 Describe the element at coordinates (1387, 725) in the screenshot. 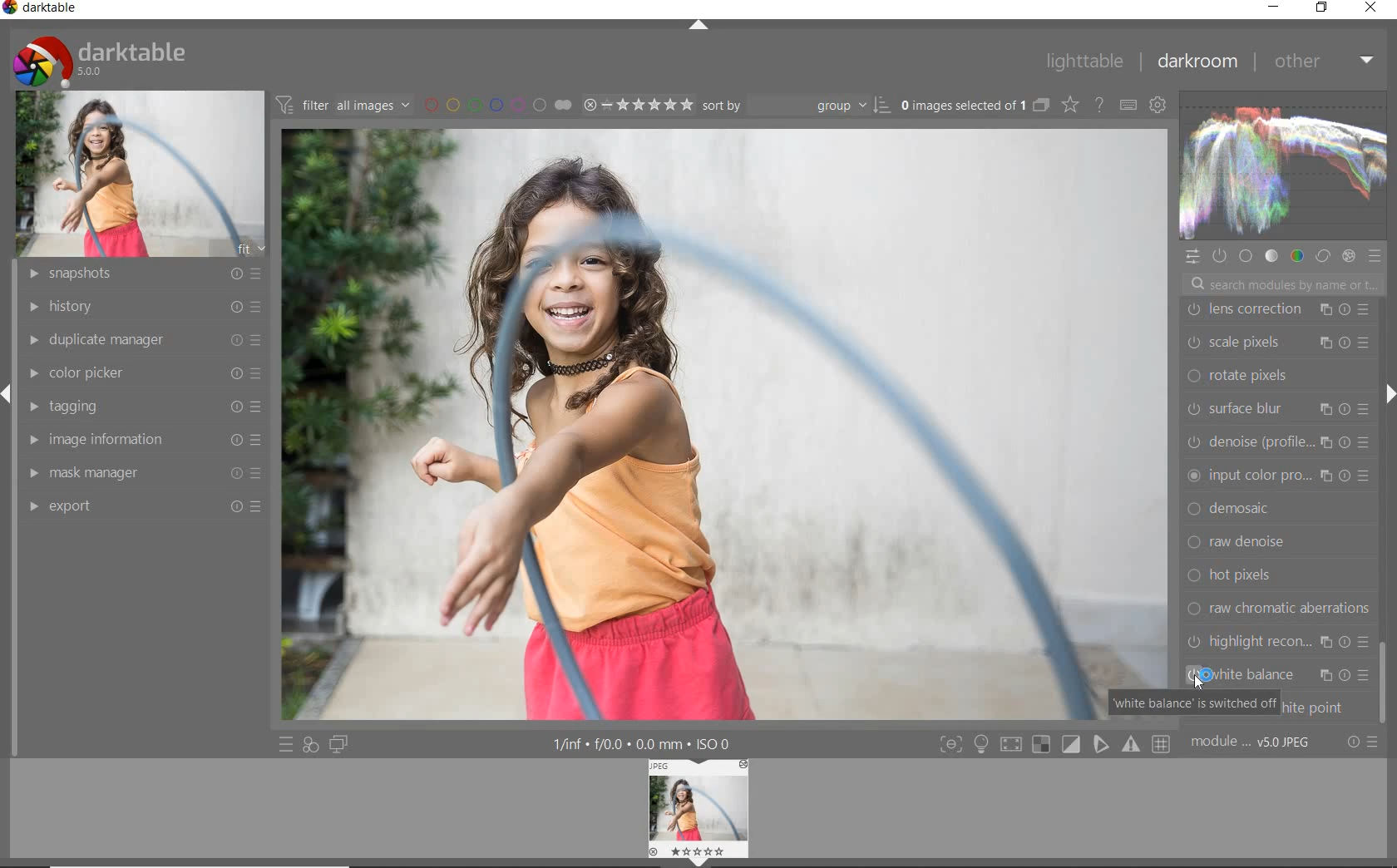

I see `CURSOR` at that location.